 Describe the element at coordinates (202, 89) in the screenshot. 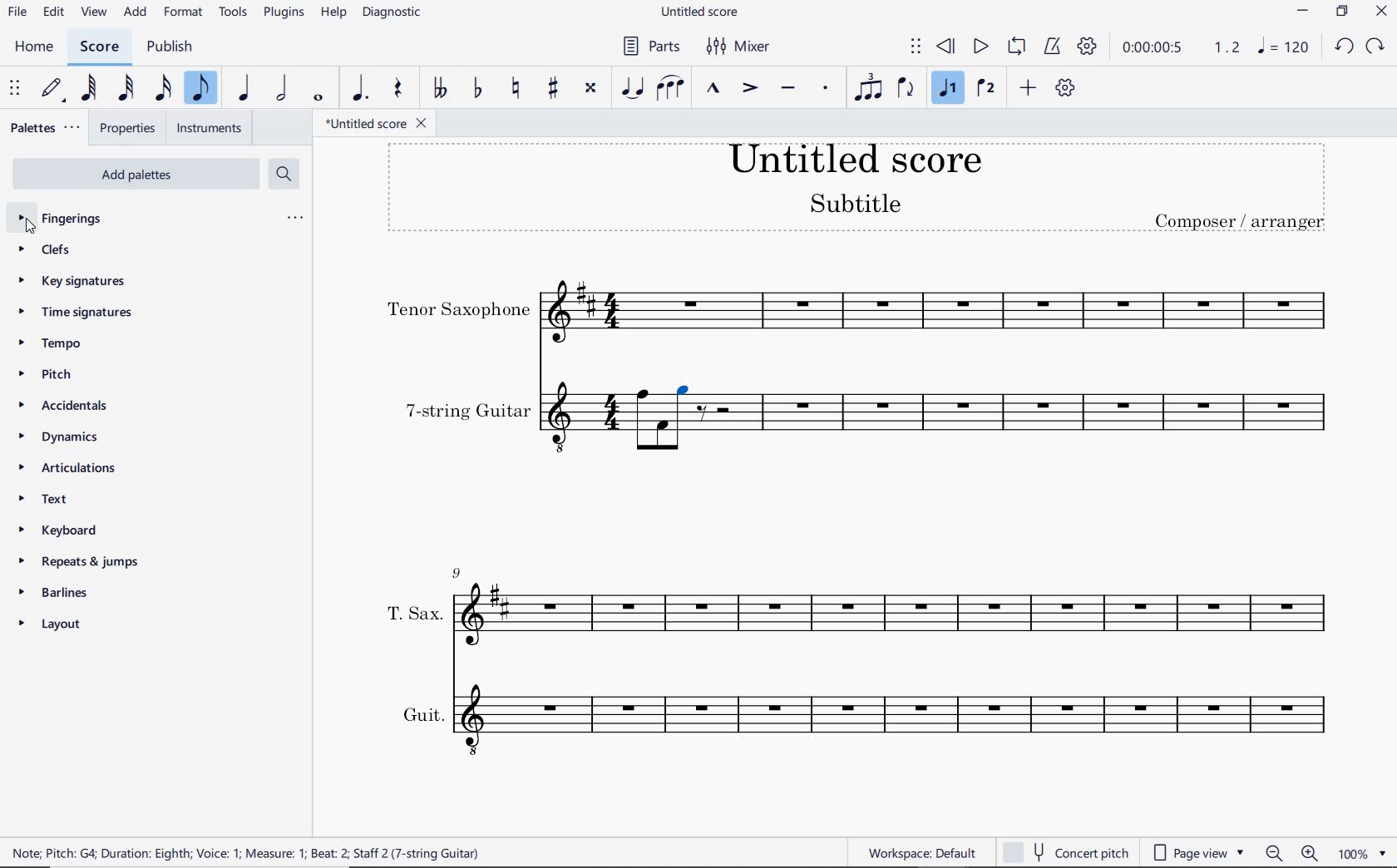

I see `EIGHTH NOTE` at that location.